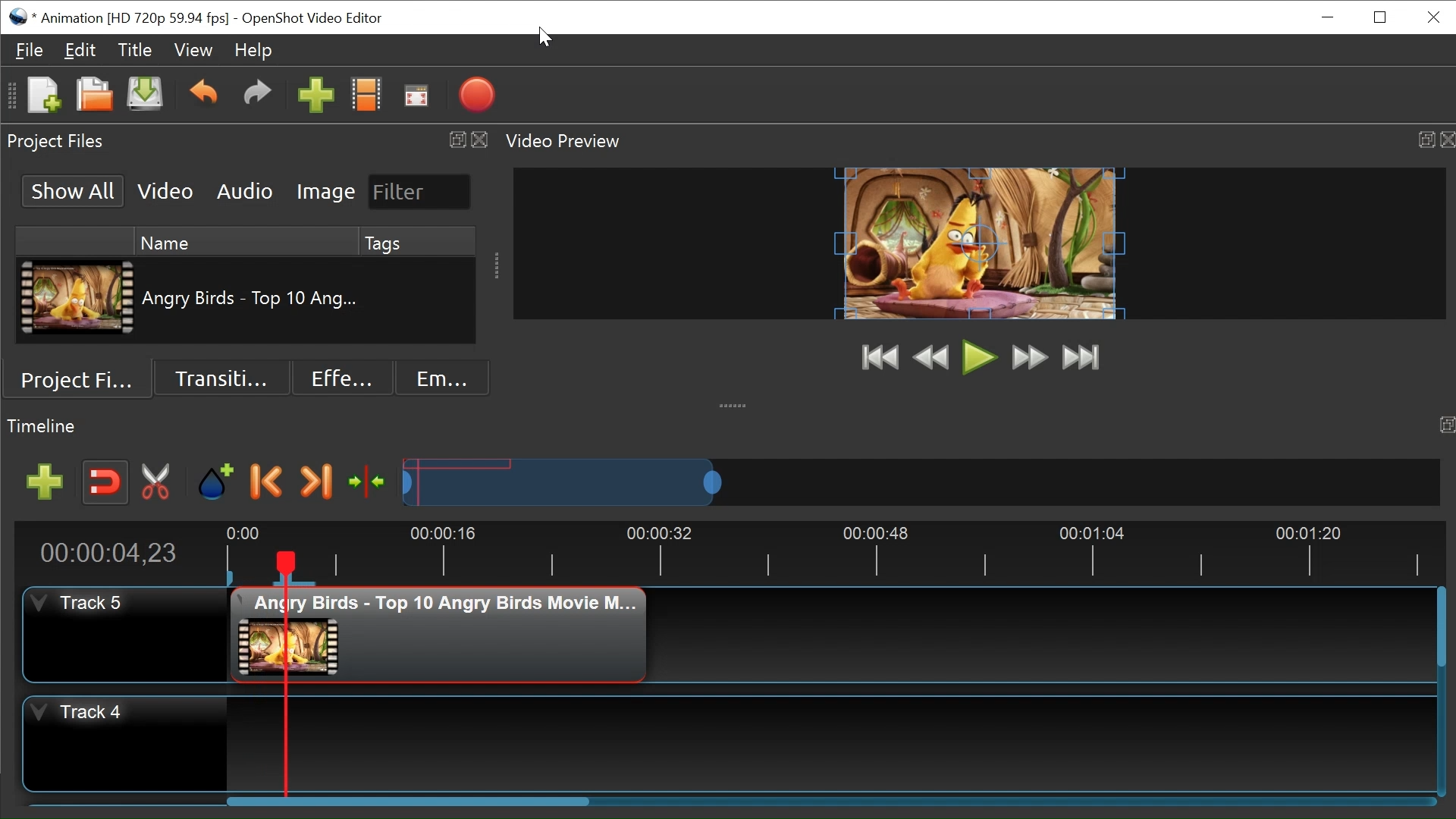 The width and height of the screenshot is (1456, 819). Describe the element at coordinates (416, 94) in the screenshot. I see `Fullscreen` at that location.